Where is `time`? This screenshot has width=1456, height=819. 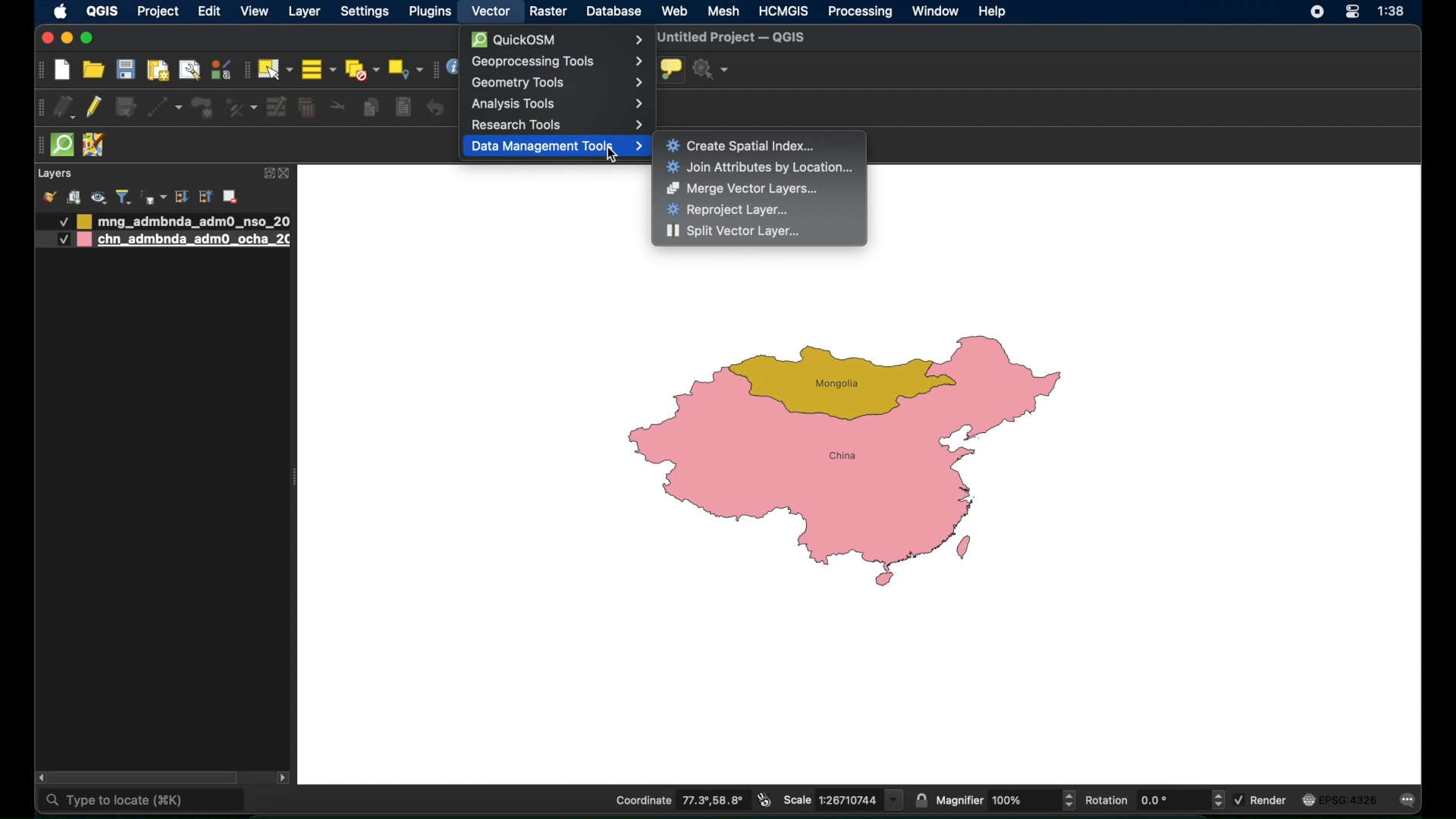
time is located at coordinates (1394, 12).